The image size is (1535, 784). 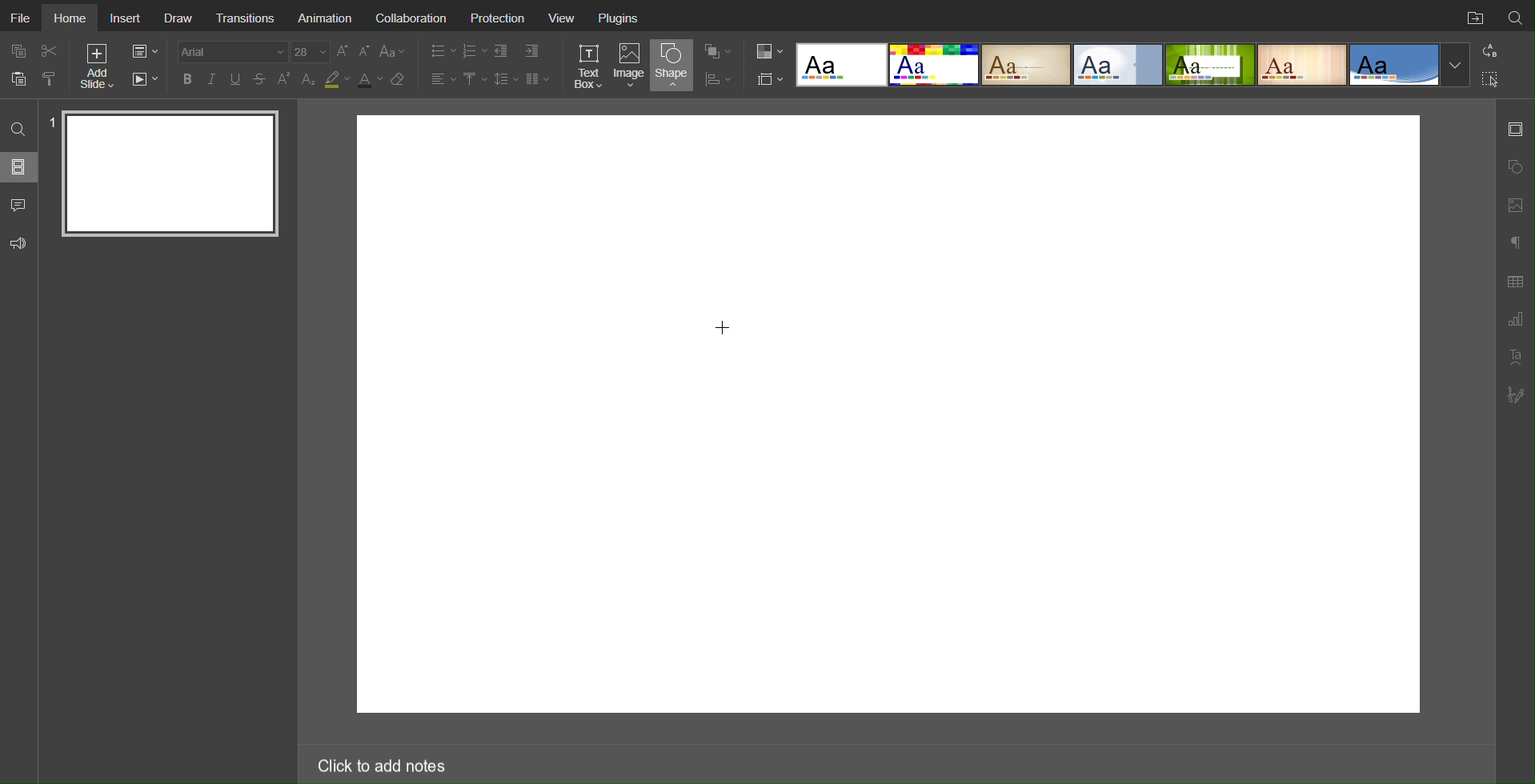 I want to click on Columns, so click(x=539, y=78).